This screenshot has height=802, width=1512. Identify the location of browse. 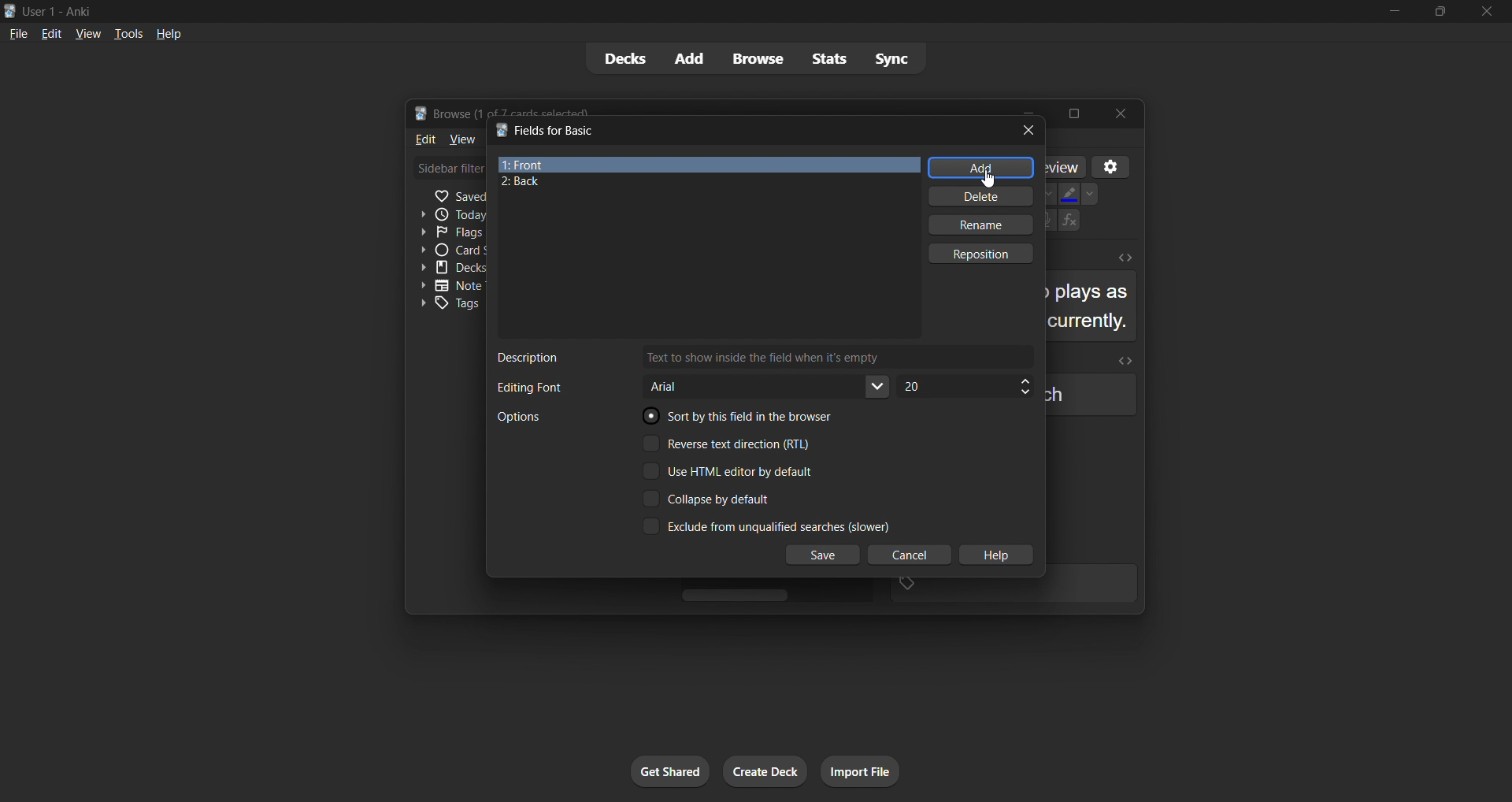
(759, 60).